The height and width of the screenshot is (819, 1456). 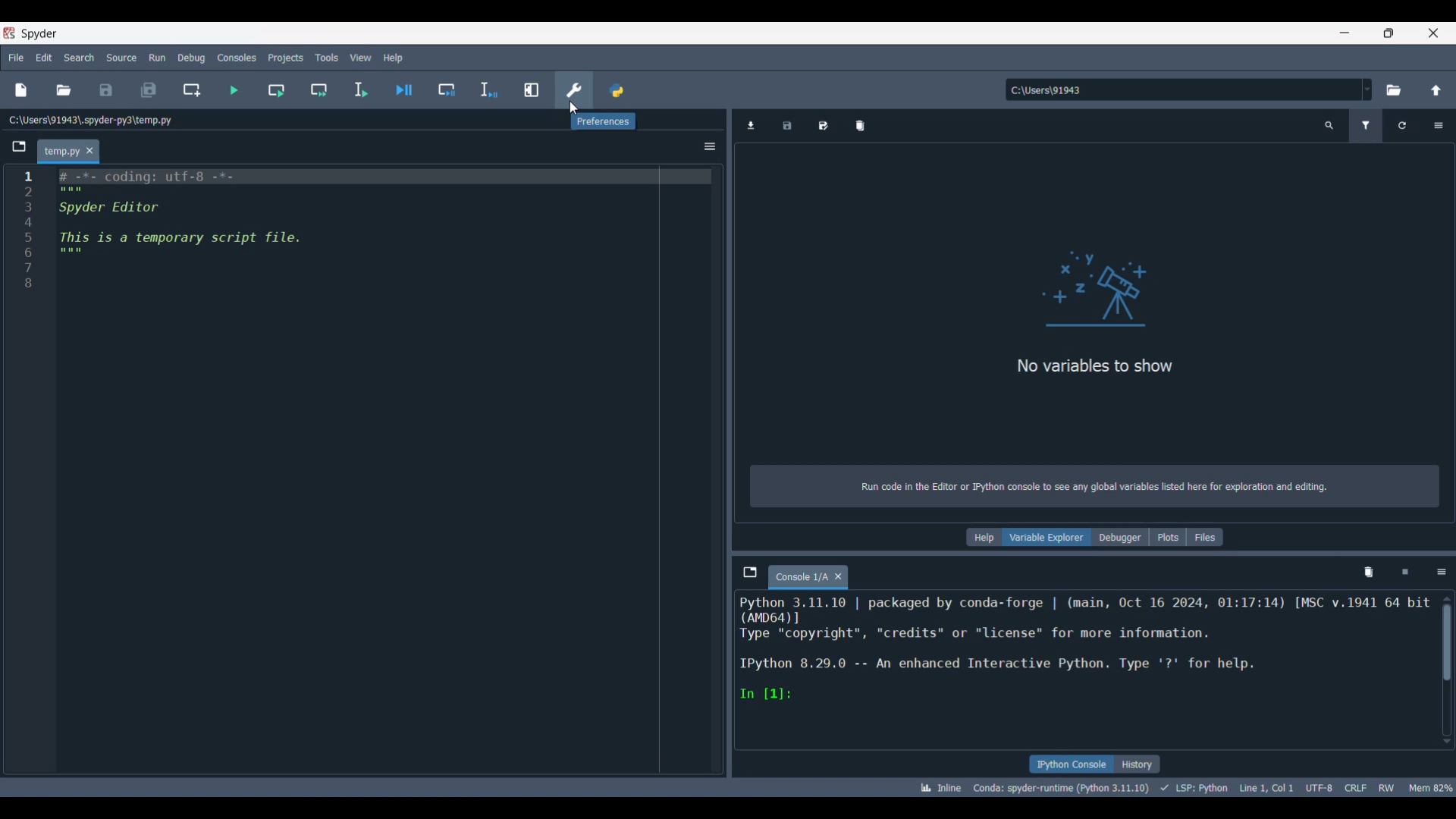 I want to click on Debug menu, so click(x=192, y=58).